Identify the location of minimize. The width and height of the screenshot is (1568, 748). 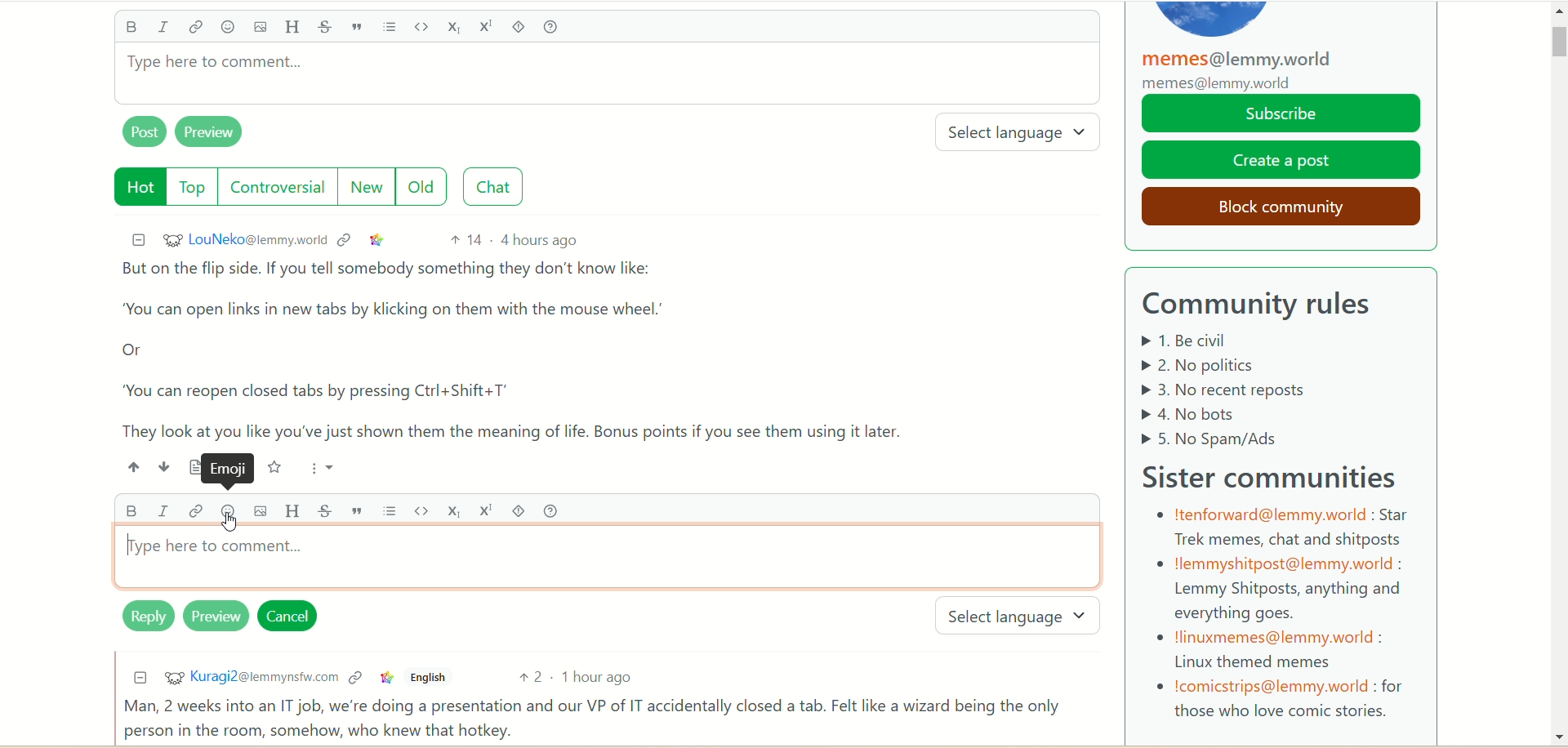
(134, 238).